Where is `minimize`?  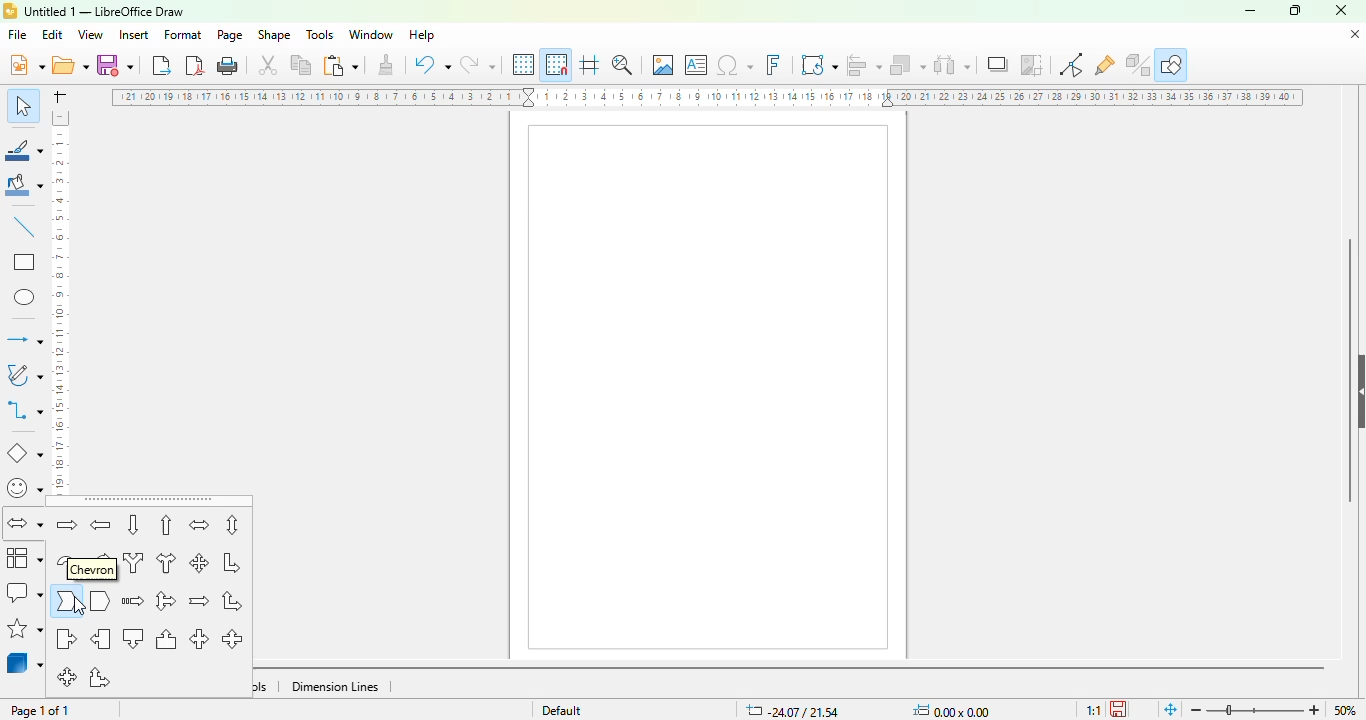
minimize is located at coordinates (1250, 12).